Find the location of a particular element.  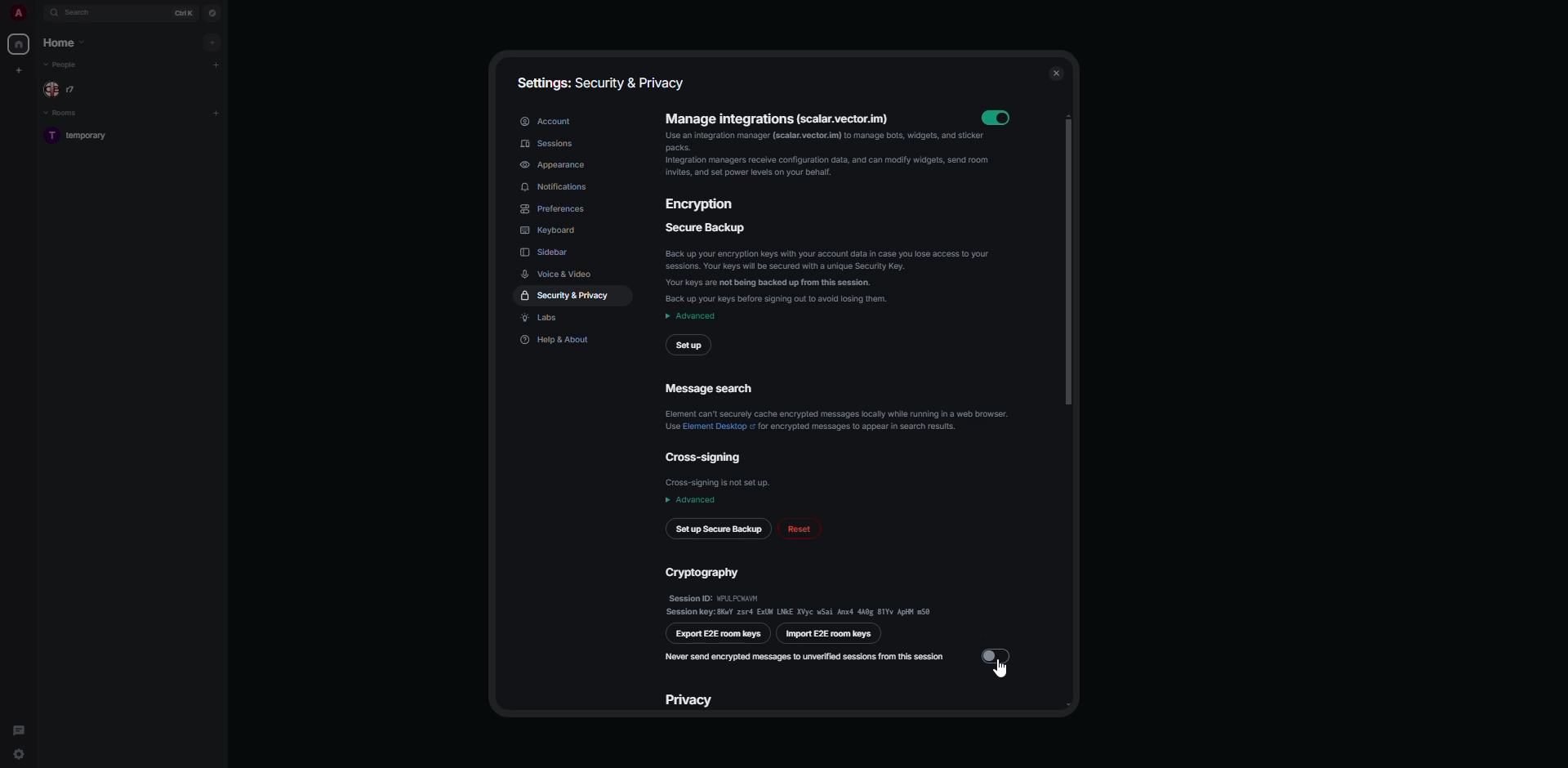

add is located at coordinates (216, 64).